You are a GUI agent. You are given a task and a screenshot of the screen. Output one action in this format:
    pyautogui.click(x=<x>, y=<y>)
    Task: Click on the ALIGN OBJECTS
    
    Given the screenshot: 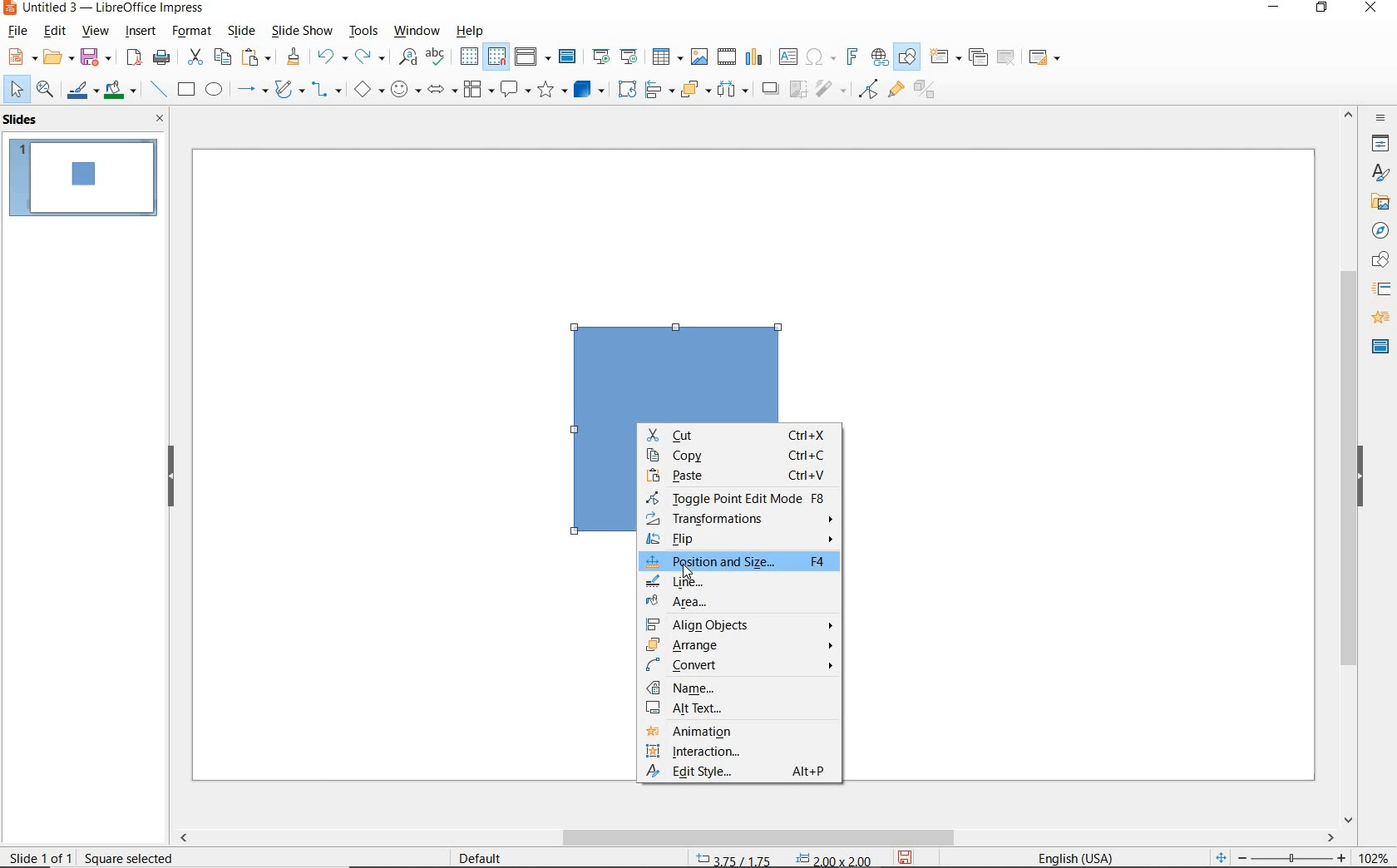 What is the action you would take?
    pyautogui.click(x=738, y=627)
    